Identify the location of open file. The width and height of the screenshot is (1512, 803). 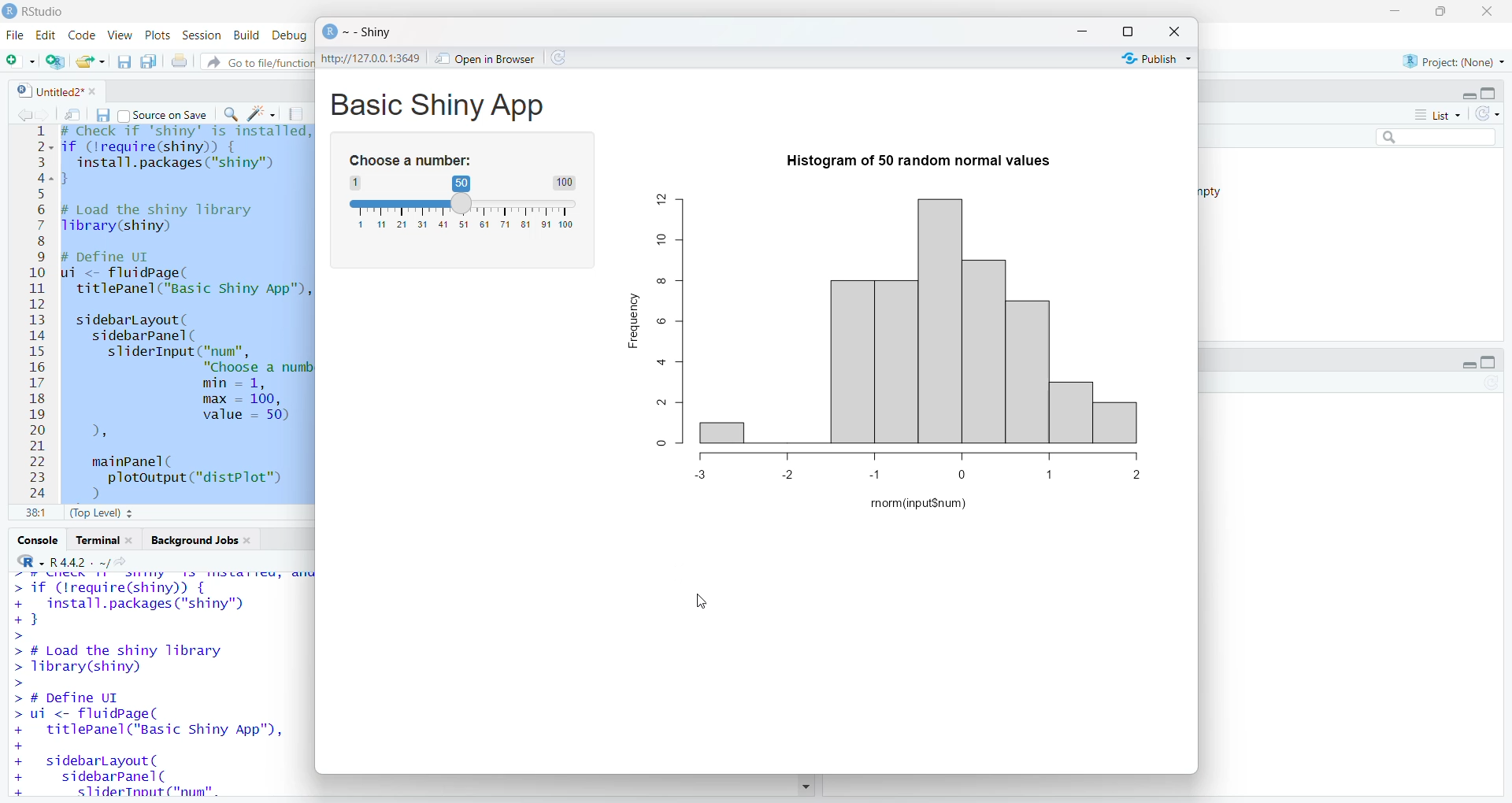
(92, 62).